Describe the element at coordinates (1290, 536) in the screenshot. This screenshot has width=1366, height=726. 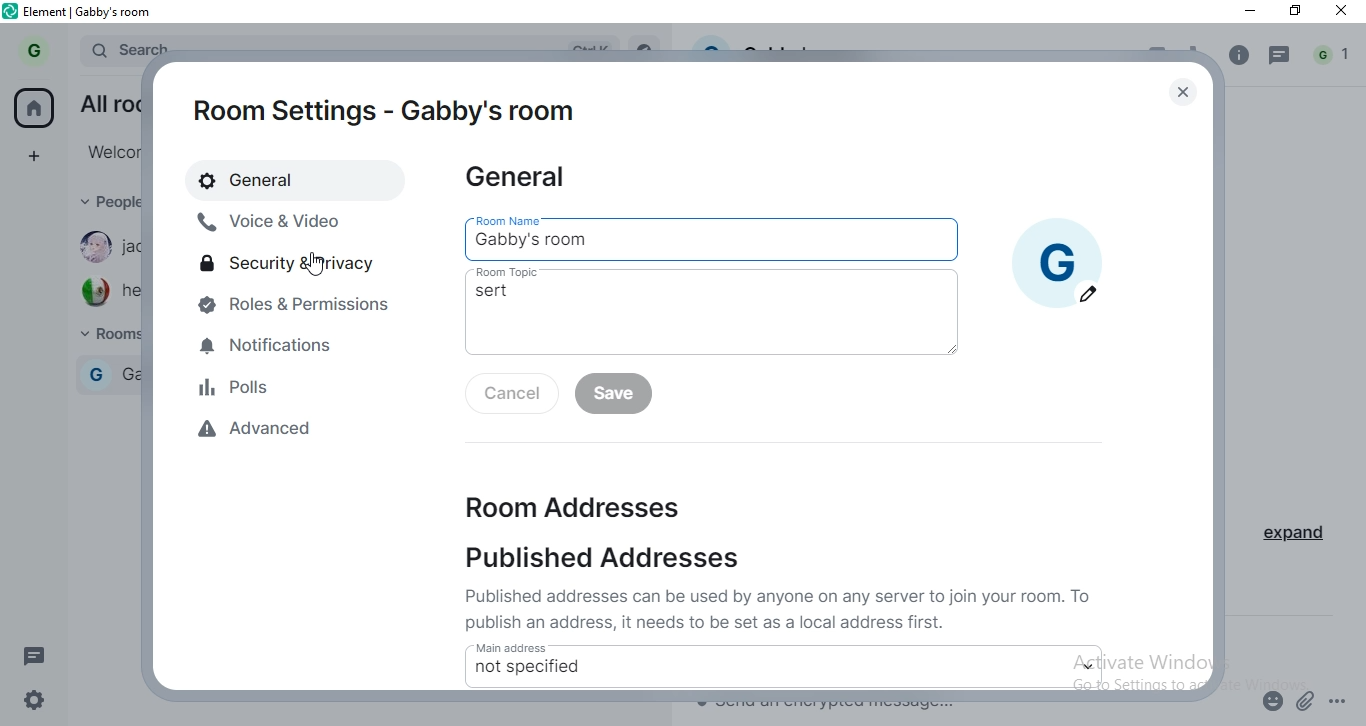
I see `expand` at that location.